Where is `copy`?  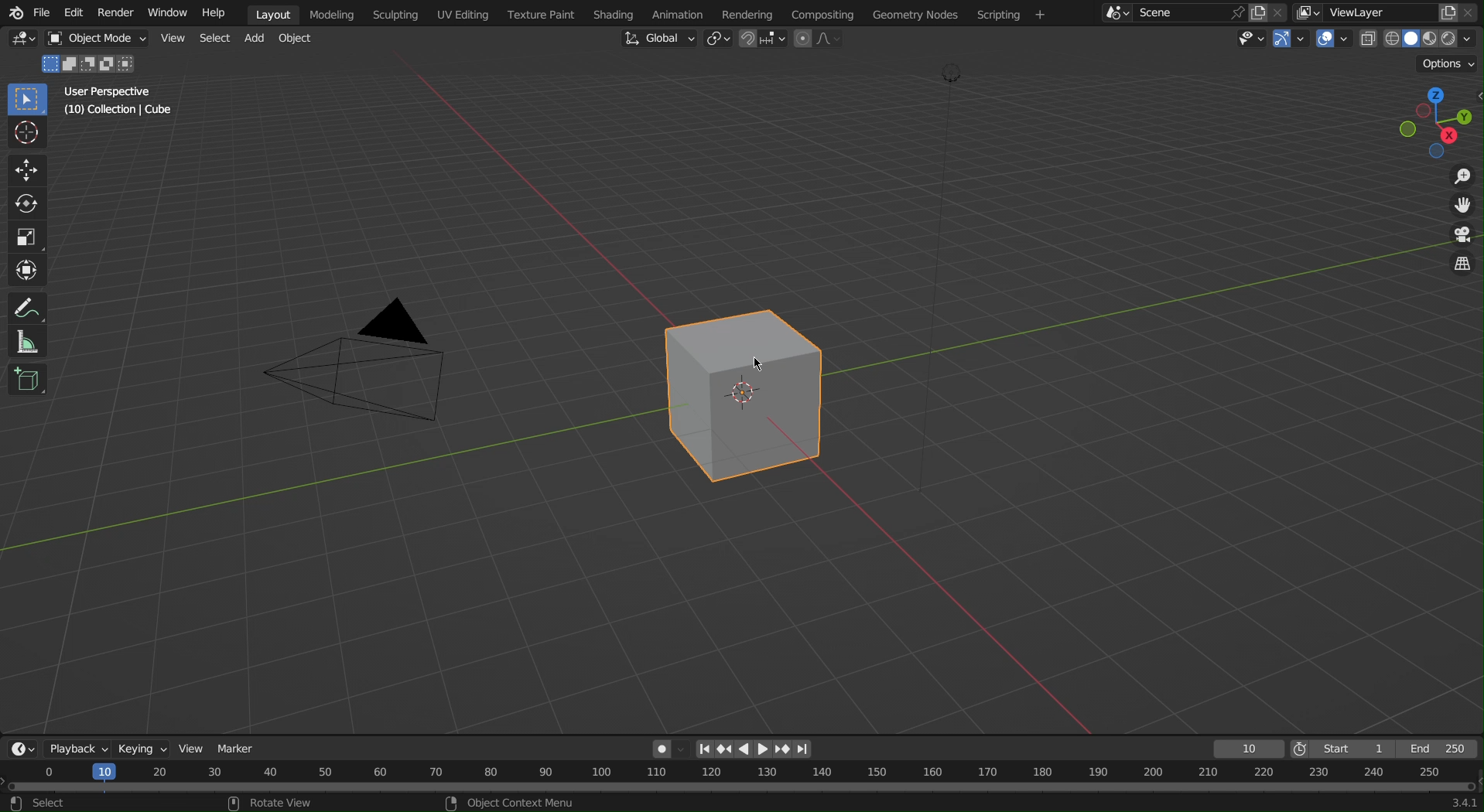 copy is located at coordinates (1448, 11).